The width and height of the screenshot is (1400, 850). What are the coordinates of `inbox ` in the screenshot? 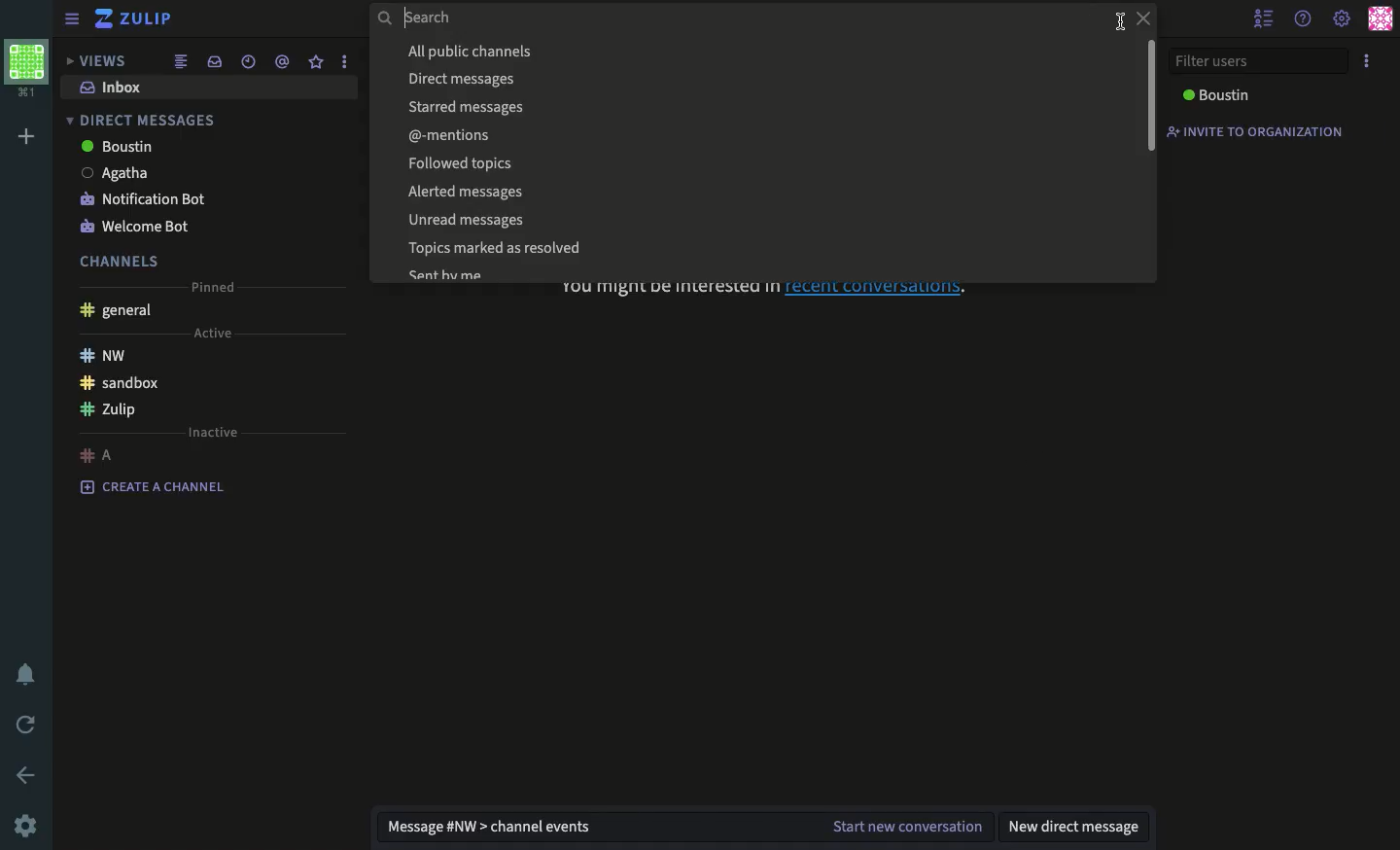 It's located at (113, 89).